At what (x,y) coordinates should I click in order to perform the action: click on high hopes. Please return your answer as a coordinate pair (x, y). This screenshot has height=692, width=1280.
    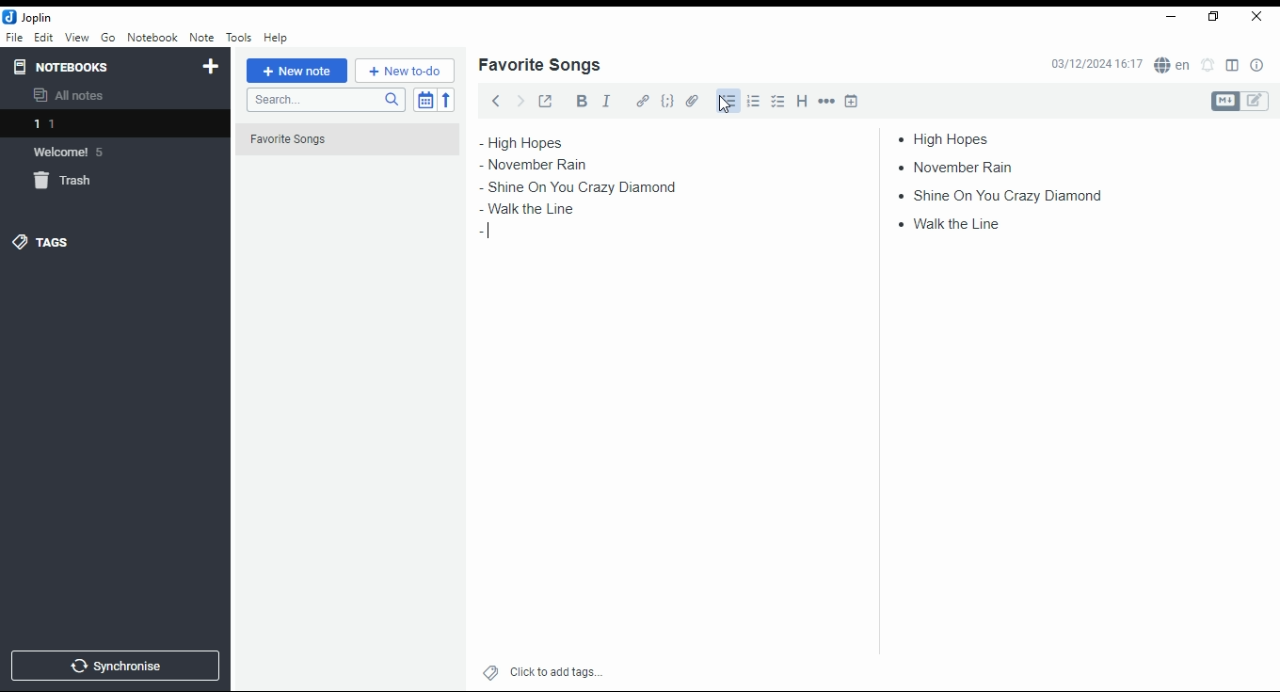
    Looking at the image, I should click on (953, 139).